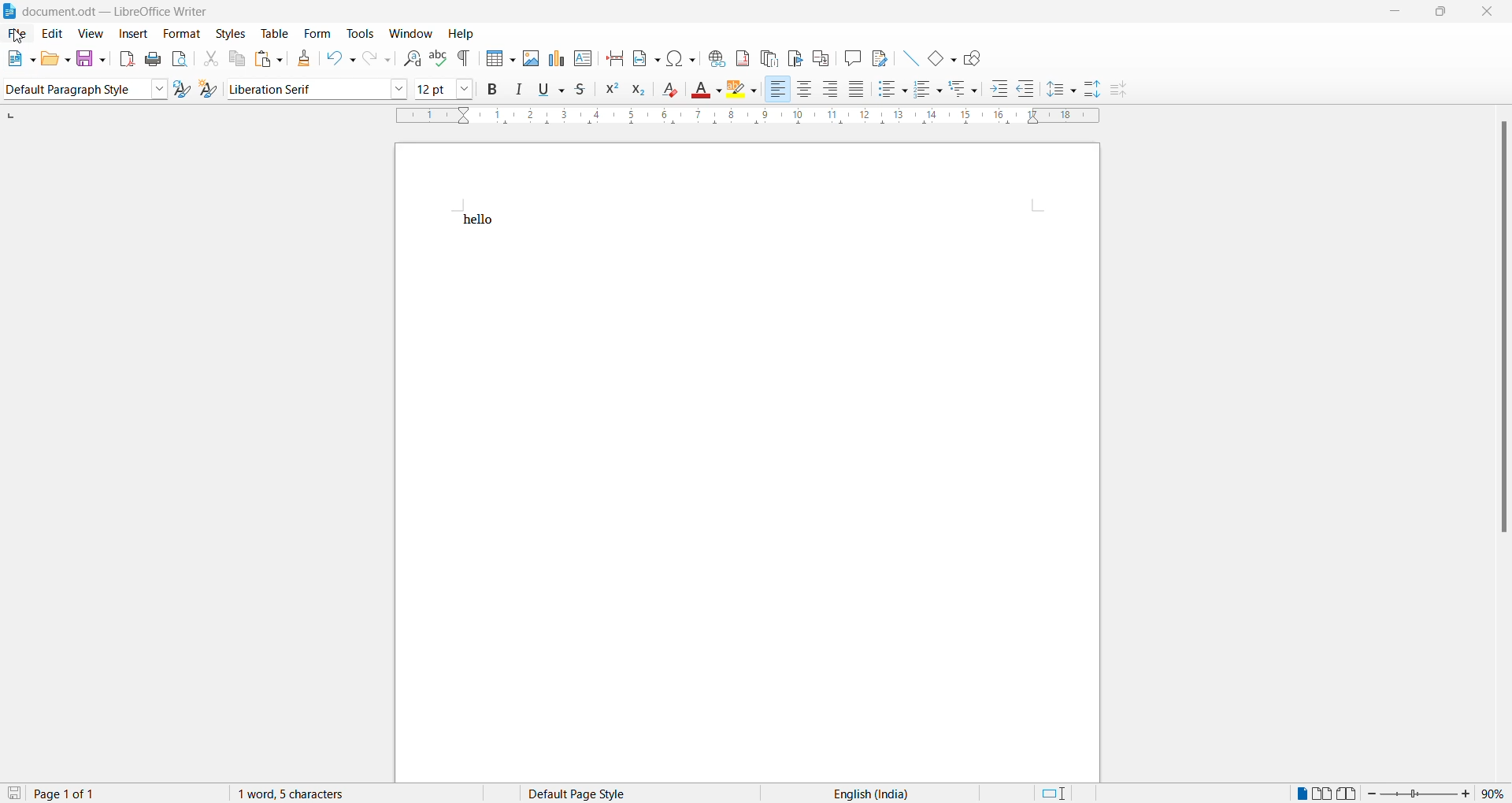 Image resolution: width=1512 pixels, height=803 pixels. What do you see at coordinates (682, 58) in the screenshot?
I see `Insert a special character` at bounding box center [682, 58].